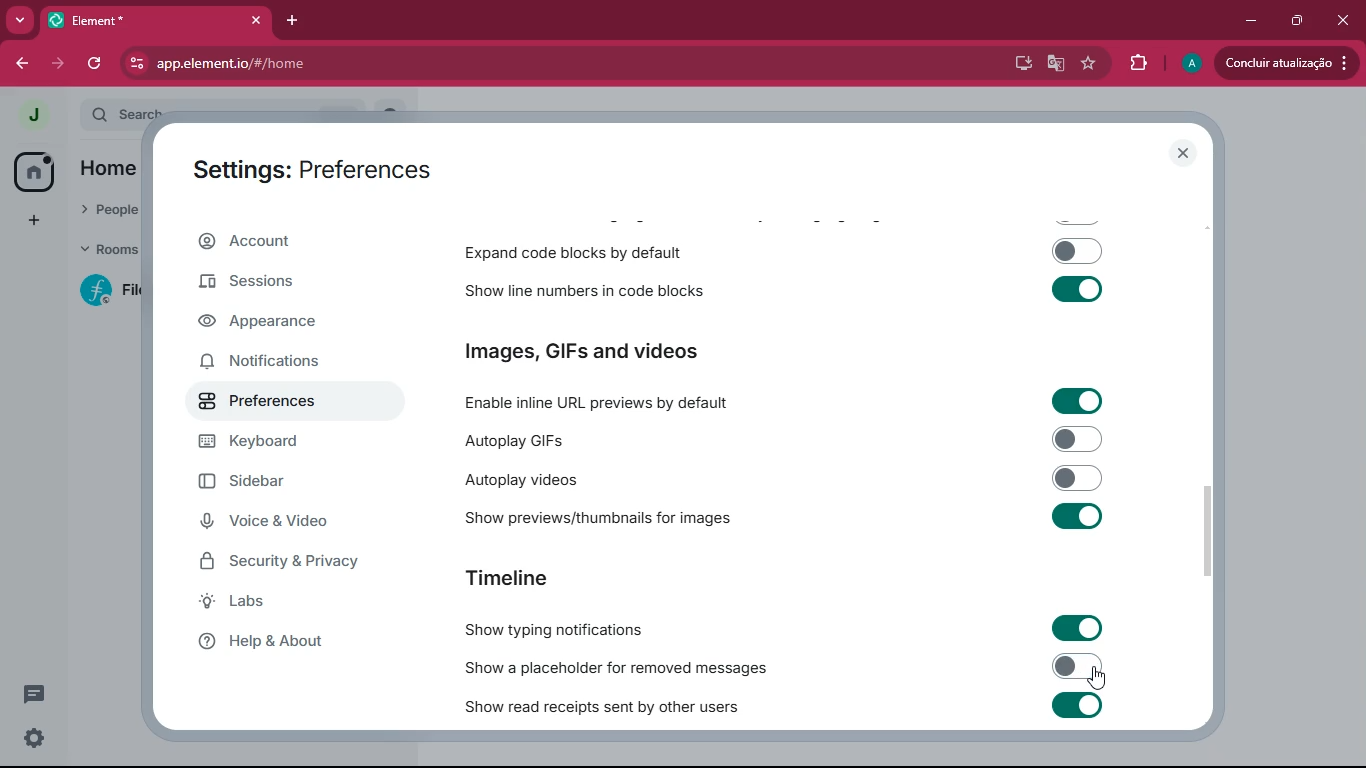 The height and width of the screenshot is (768, 1366). Describe the element at coordinates (56, 63) in the screenshot. I see `forward` at that location.